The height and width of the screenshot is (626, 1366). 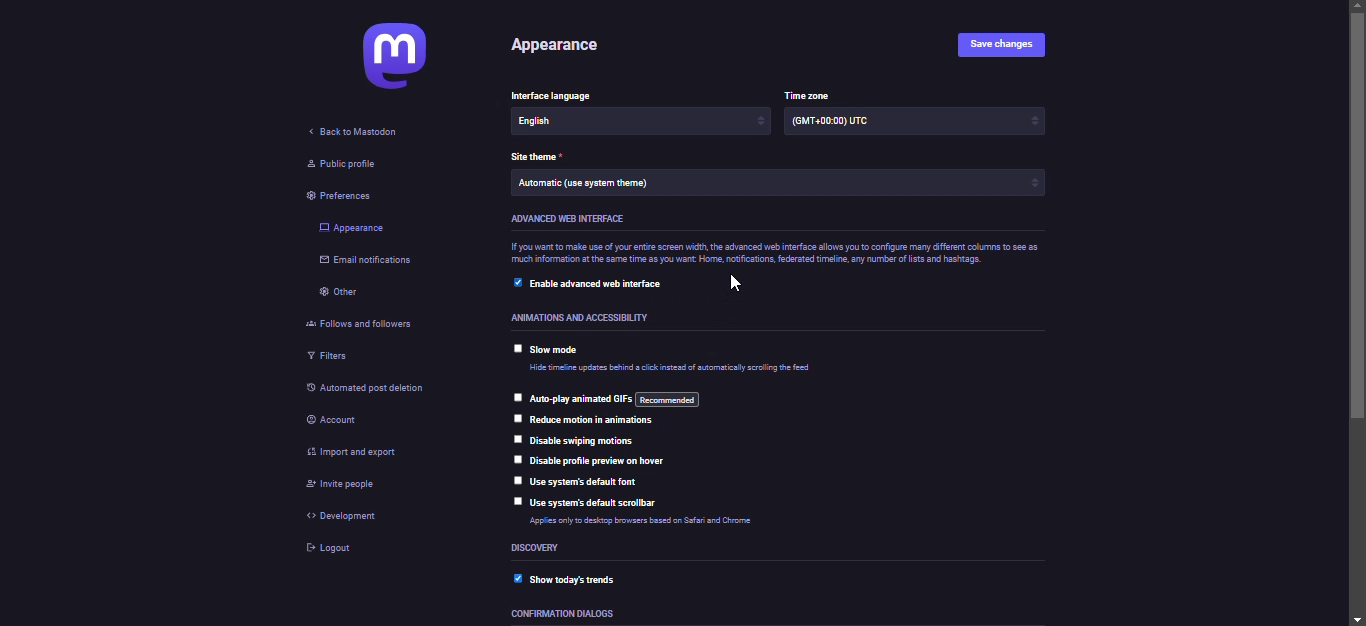 I want to click on advanced web interface, so click(x=568, y=220).